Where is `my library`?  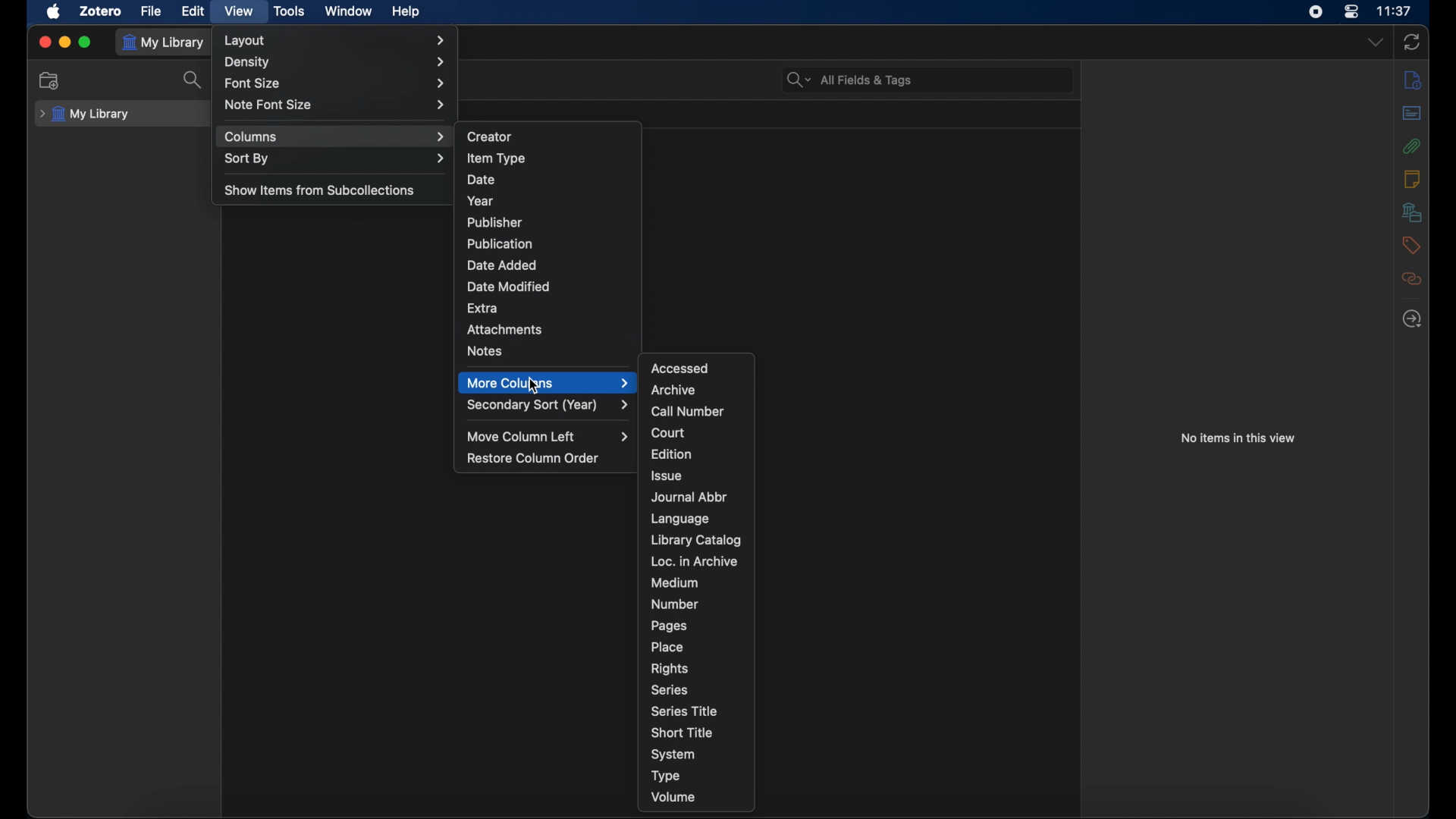
my library is located at coordinates (85, 114).